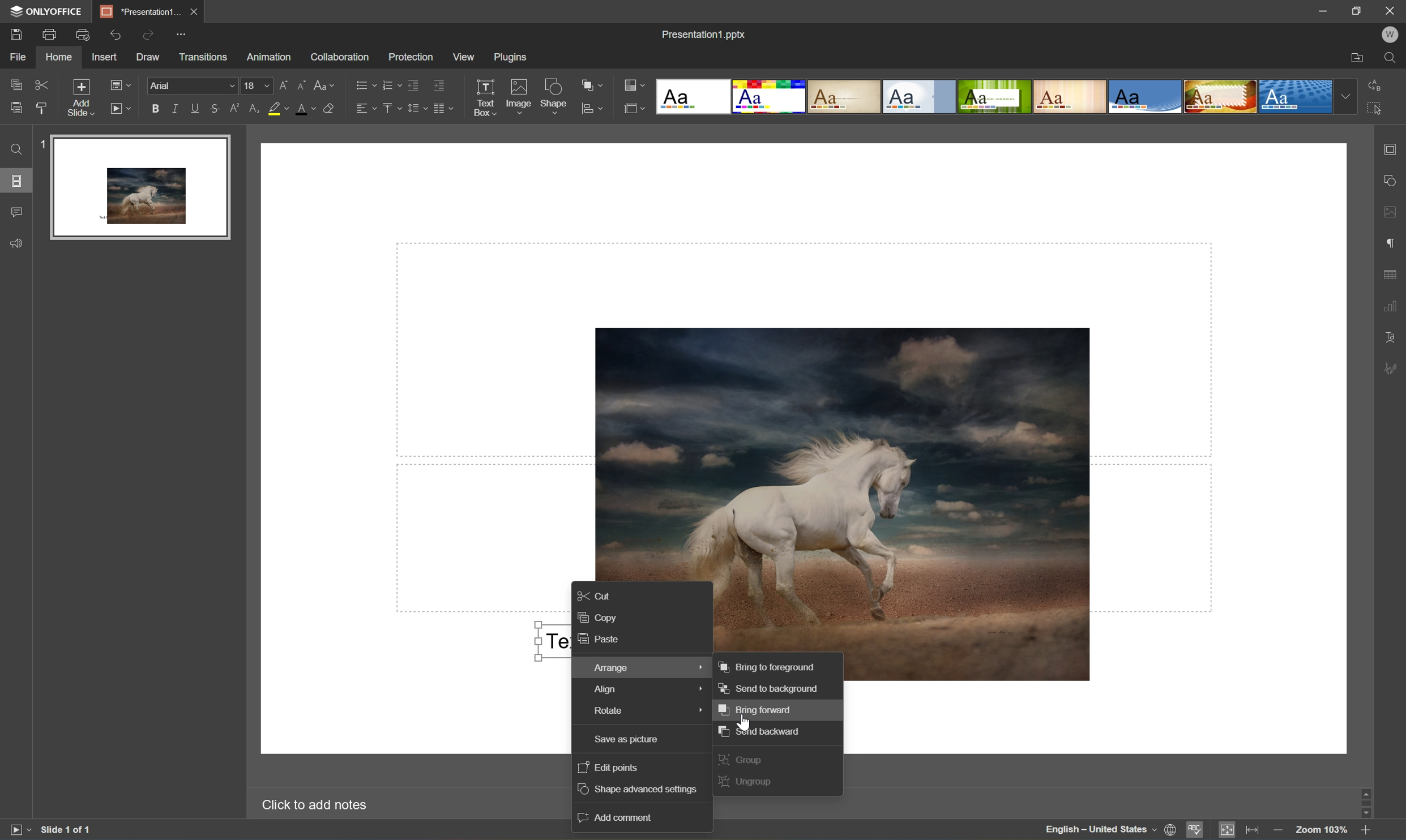 This screenshot has width=1406, height=840. What do you see at coordinates (743, 721) in the screenshot?
I see `Cursor` at bounding box center [743, 721].